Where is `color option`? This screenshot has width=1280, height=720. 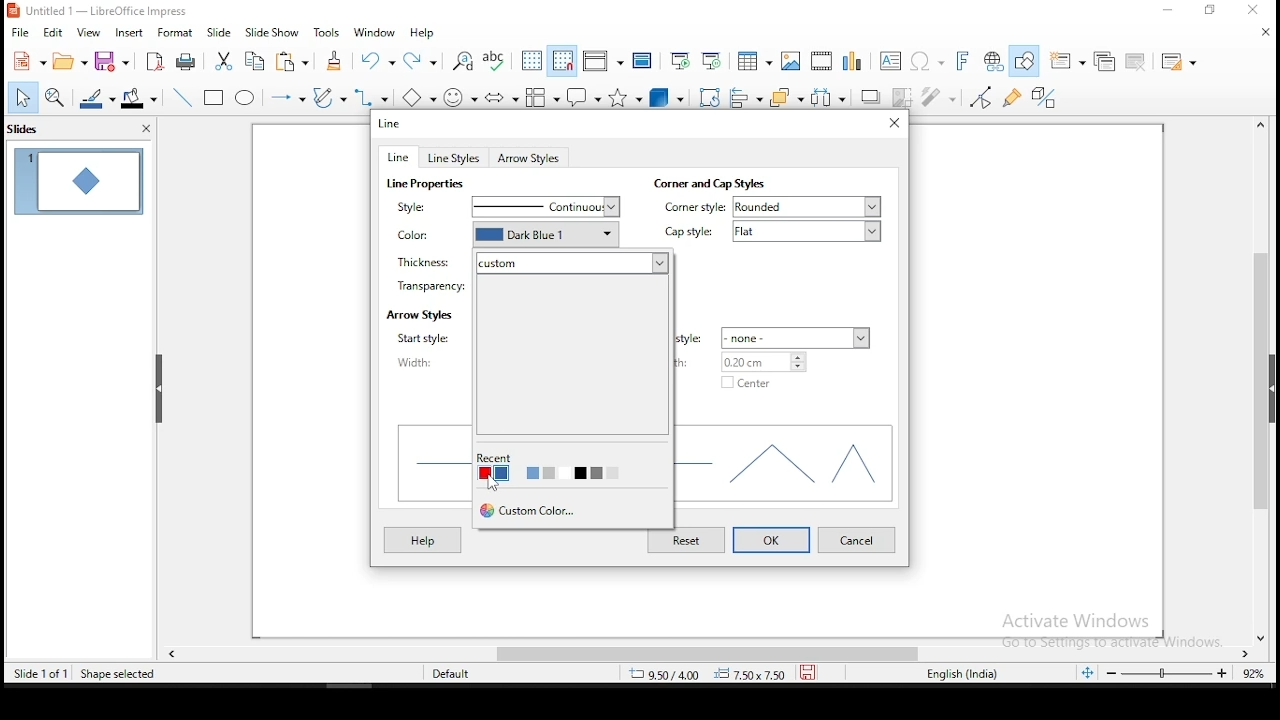
color option is located at coordinates (548, 472).